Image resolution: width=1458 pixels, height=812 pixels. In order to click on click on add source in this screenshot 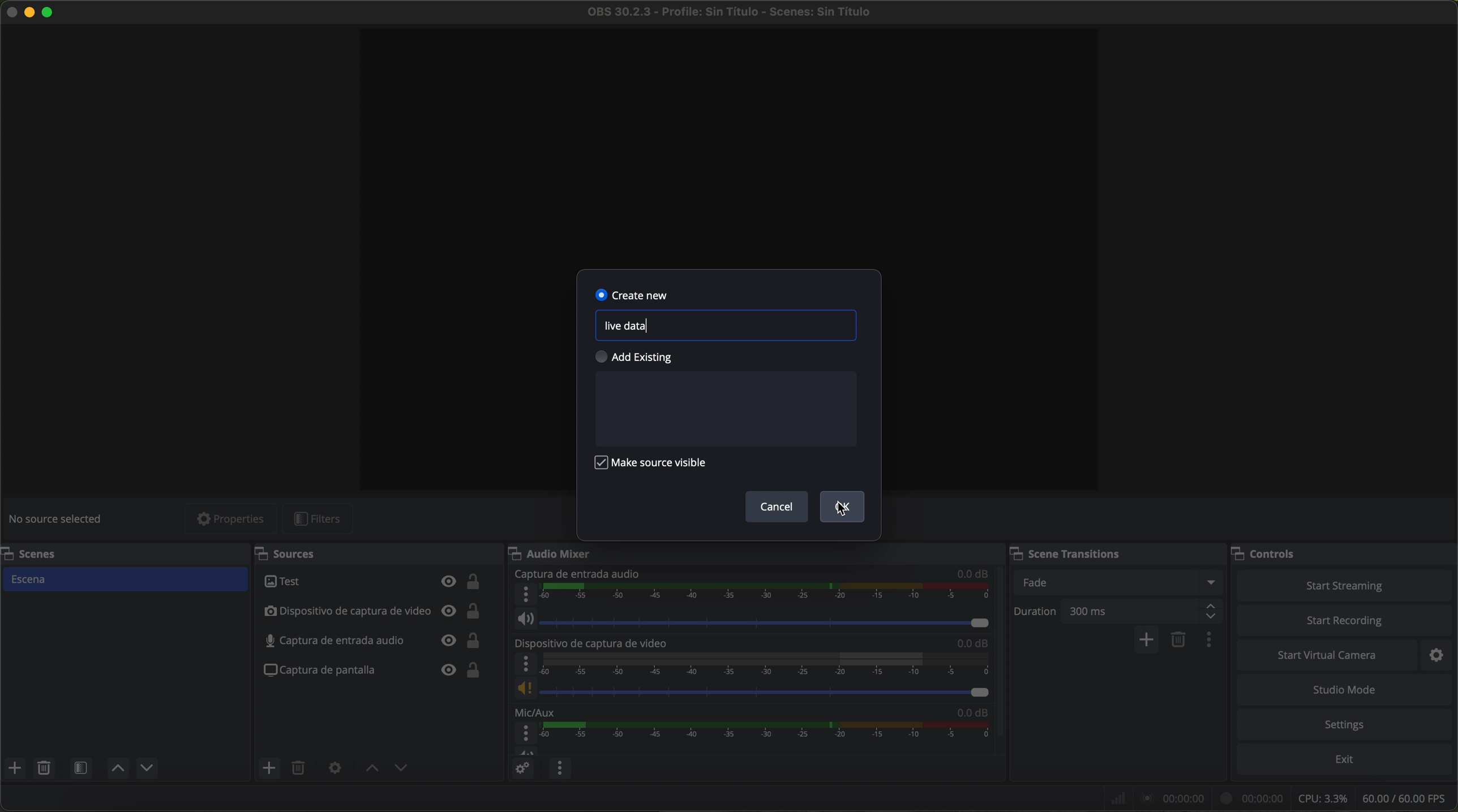, I will do `click(271, 768)`.